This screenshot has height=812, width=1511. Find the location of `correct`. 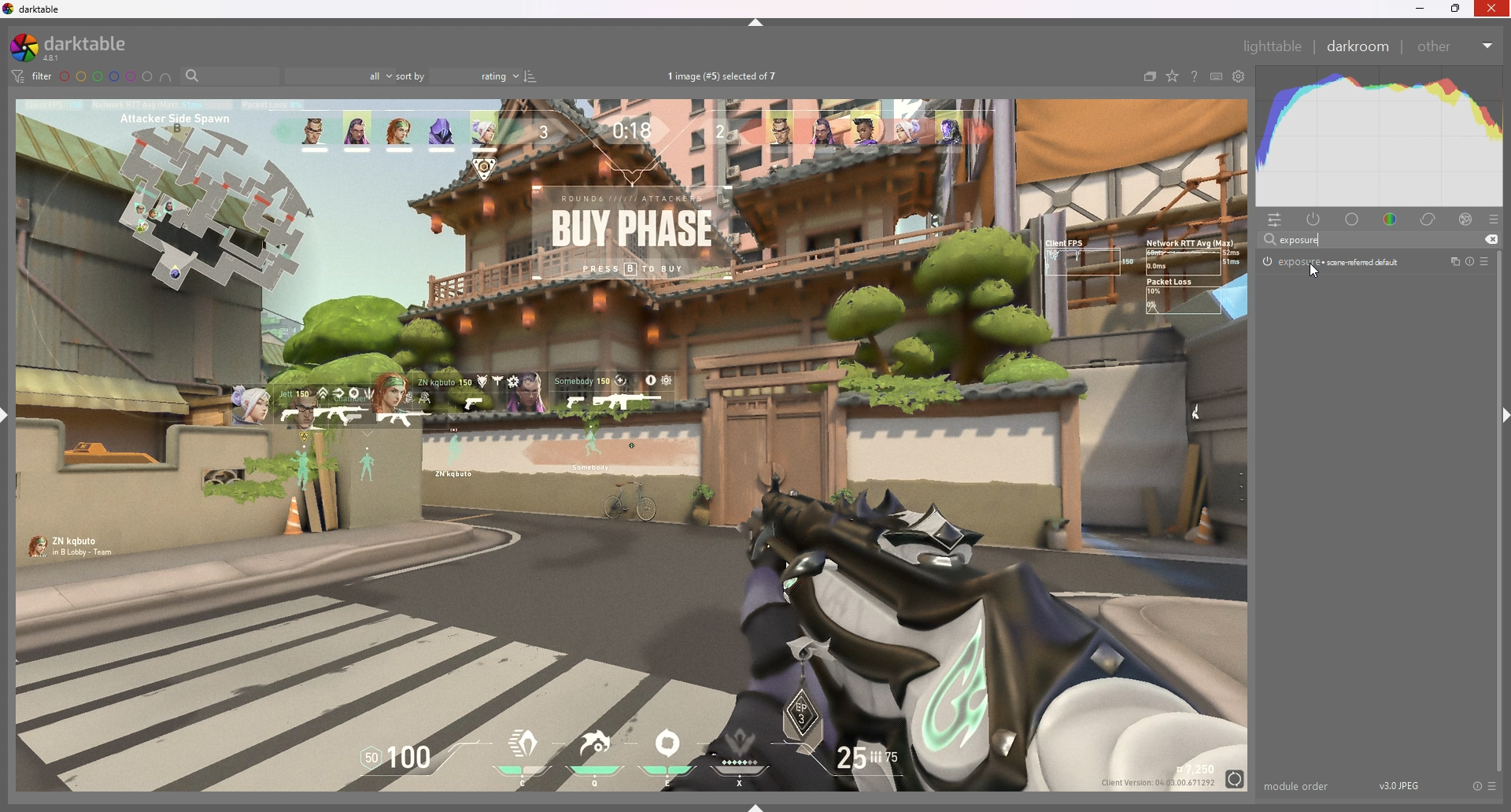

correct is located at coordinates (1430, 220).